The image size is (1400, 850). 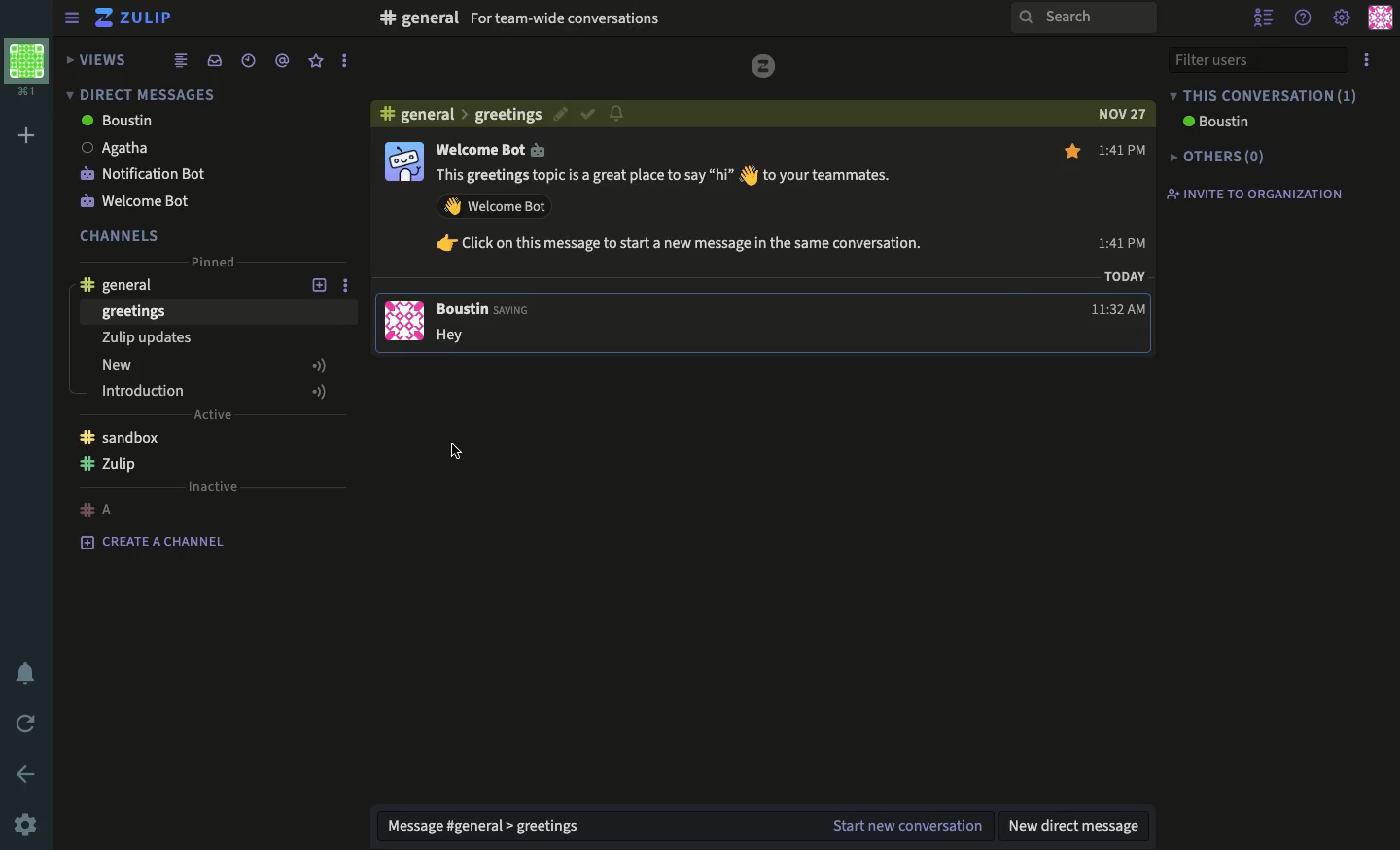 What do you see at coordinates (120, 121) in the screenshot?
I see `boutsin` at bounding box center [120, 121].